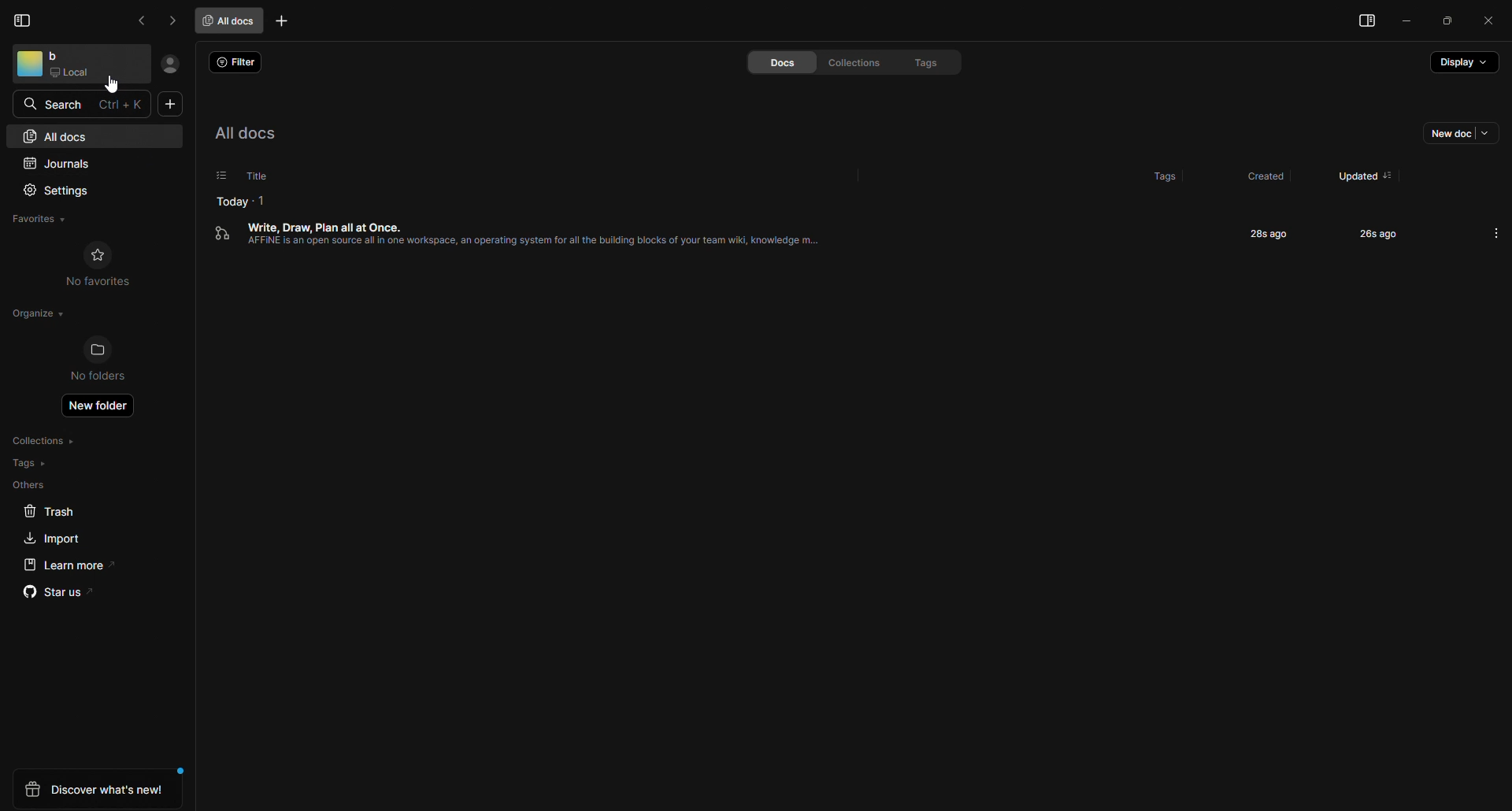 This screenshot has height=811, width=1512. What do you see at coordinates (57, 594) in the screenshot?
I see `star us` at bounding box center [57, 594].